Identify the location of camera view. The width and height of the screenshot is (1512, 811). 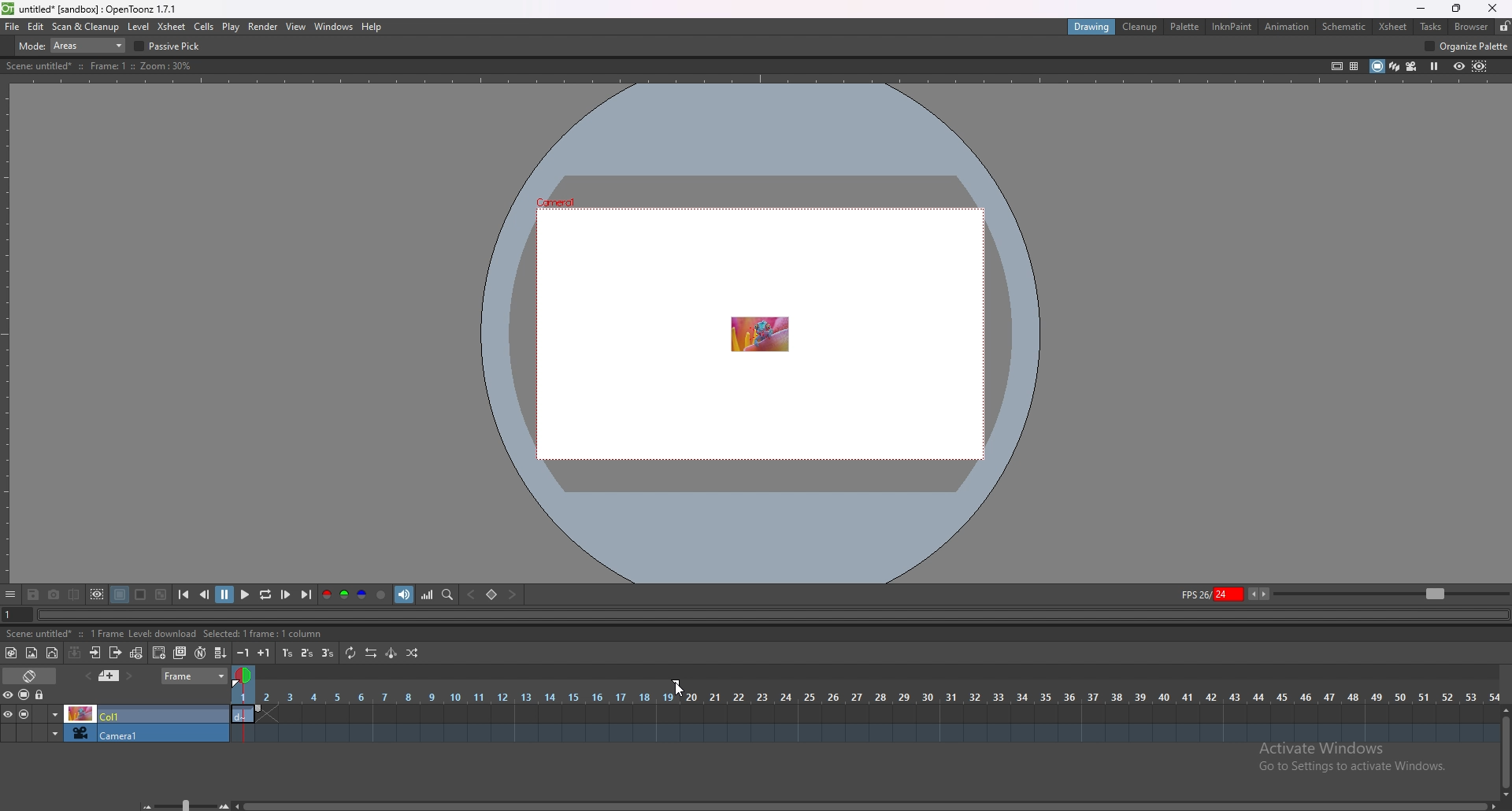
(1412, 66).